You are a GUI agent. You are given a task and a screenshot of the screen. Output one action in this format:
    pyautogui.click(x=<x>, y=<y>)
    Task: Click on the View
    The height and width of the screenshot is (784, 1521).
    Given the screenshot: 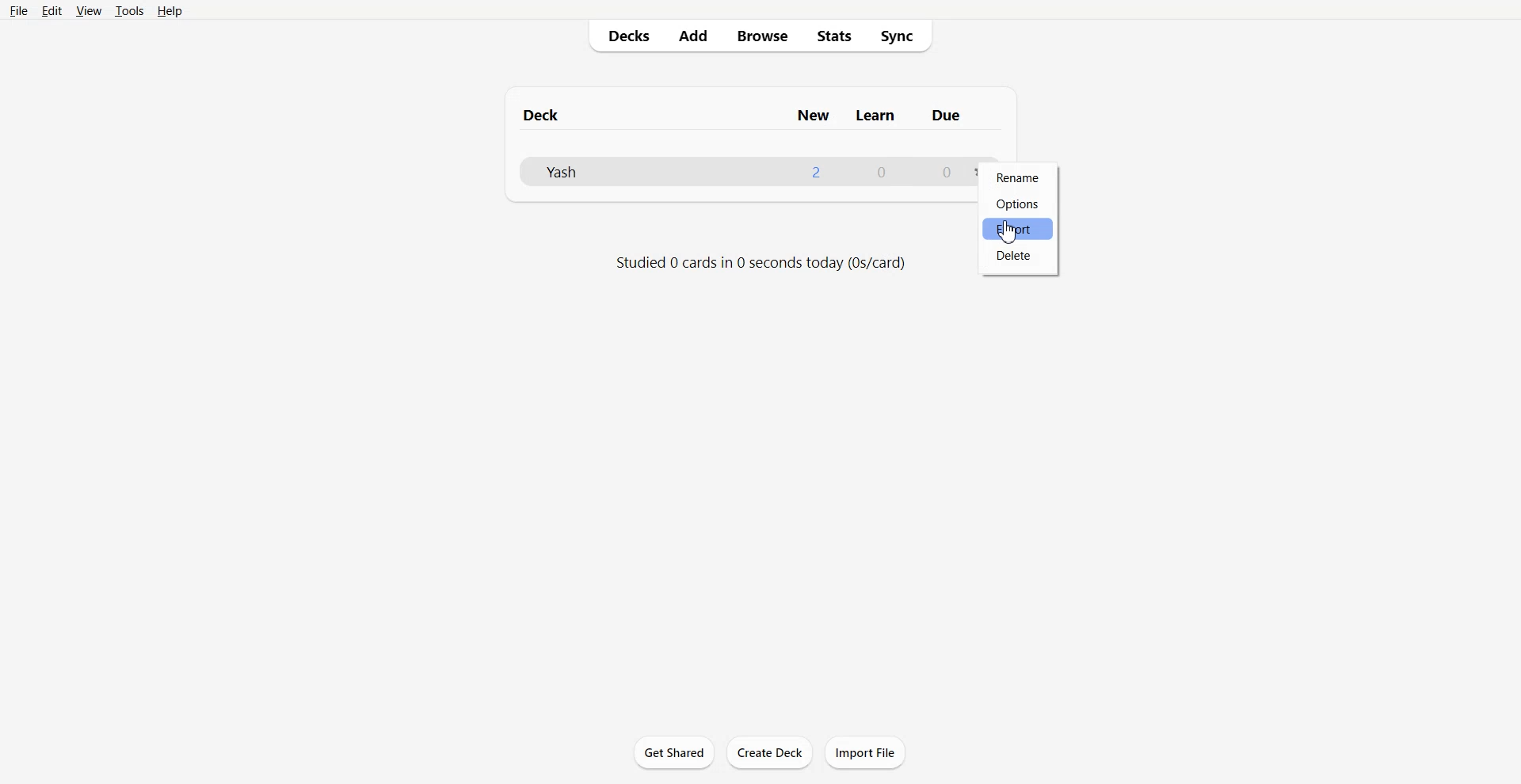 What is the action you would take?
    pyautogui.click(x=89, y=12)
    